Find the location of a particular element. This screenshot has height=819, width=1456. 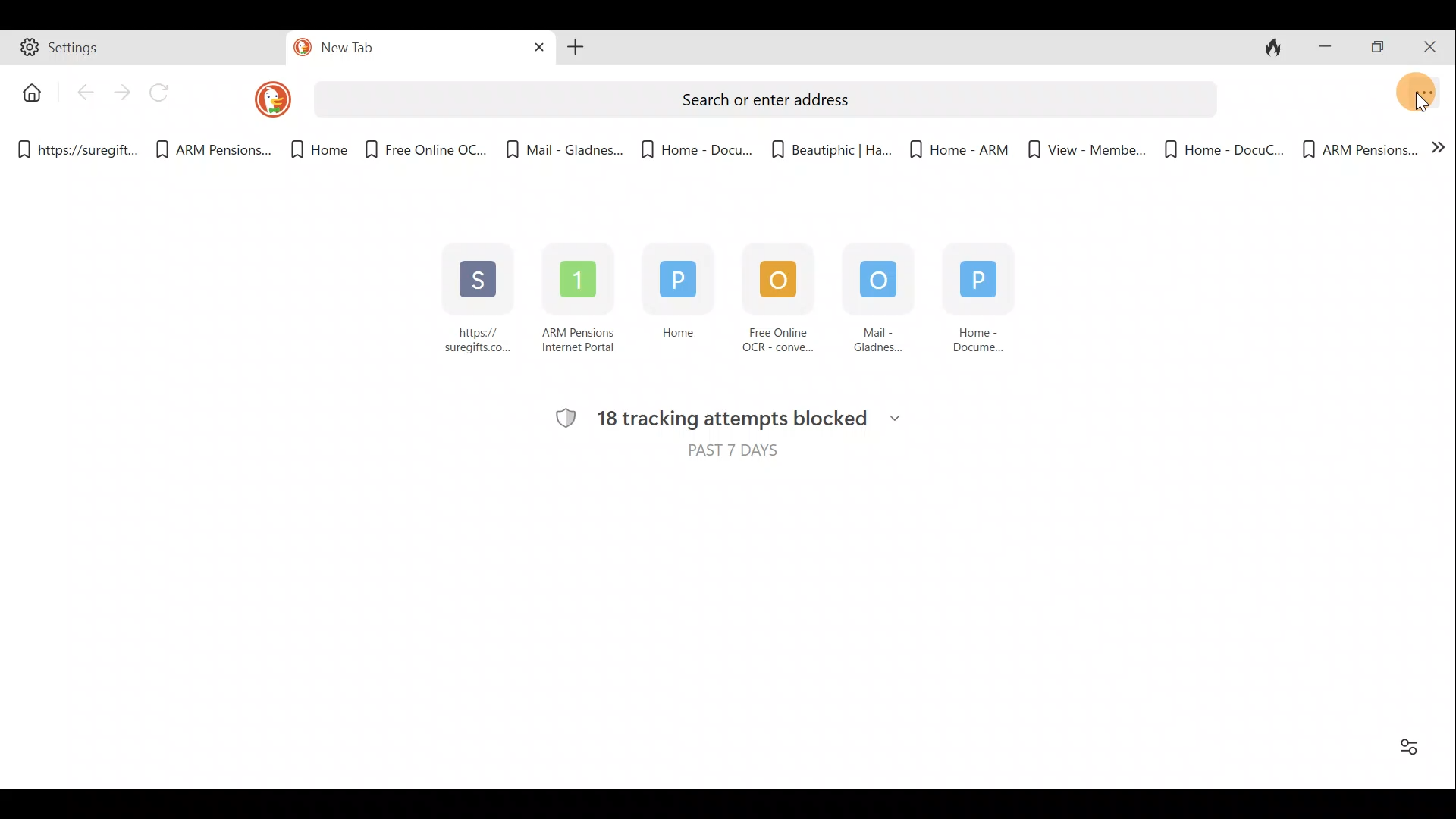

View - Membe... is located at coordinates (1082, 149).